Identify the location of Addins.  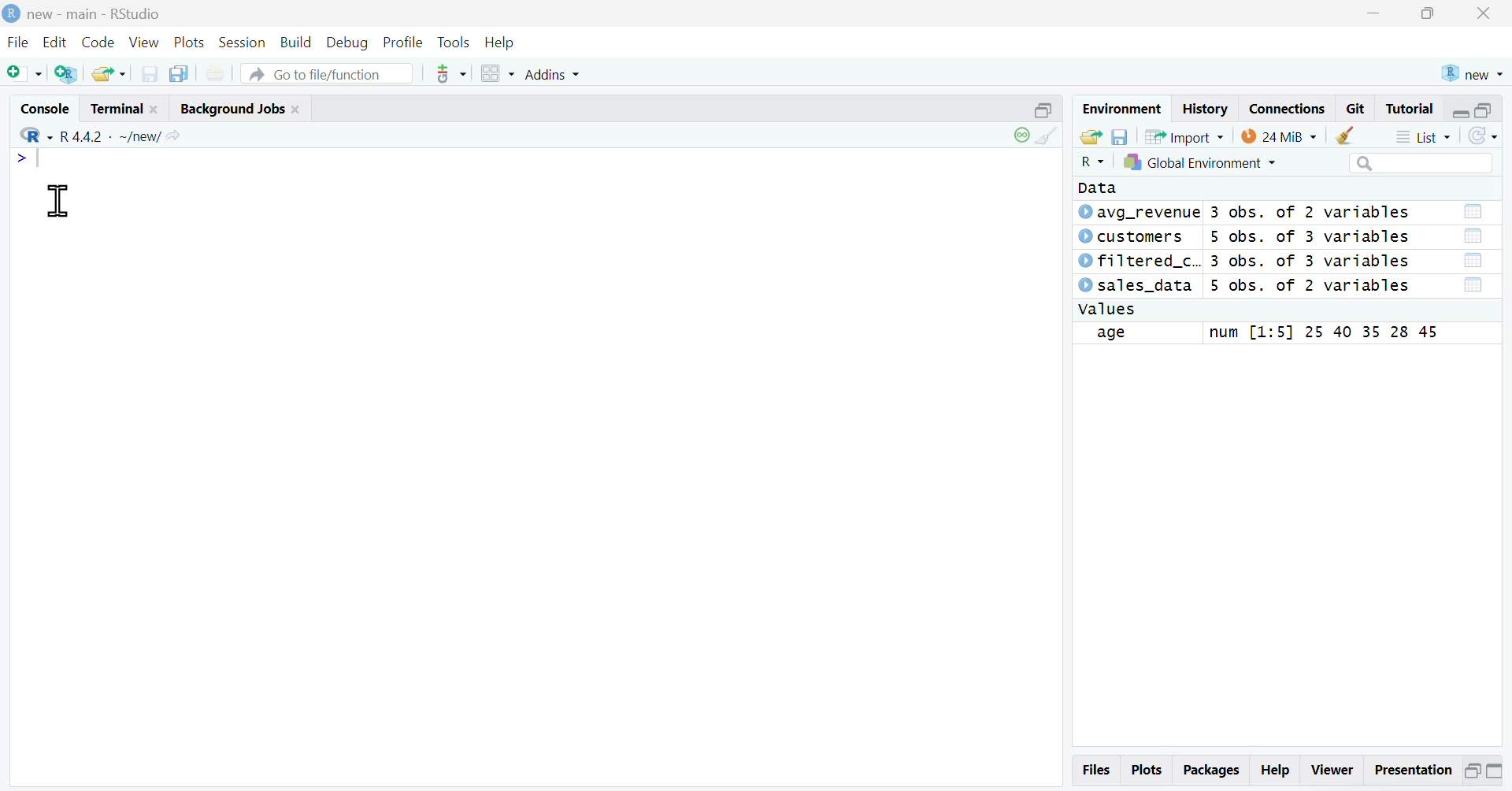
(550, 74).